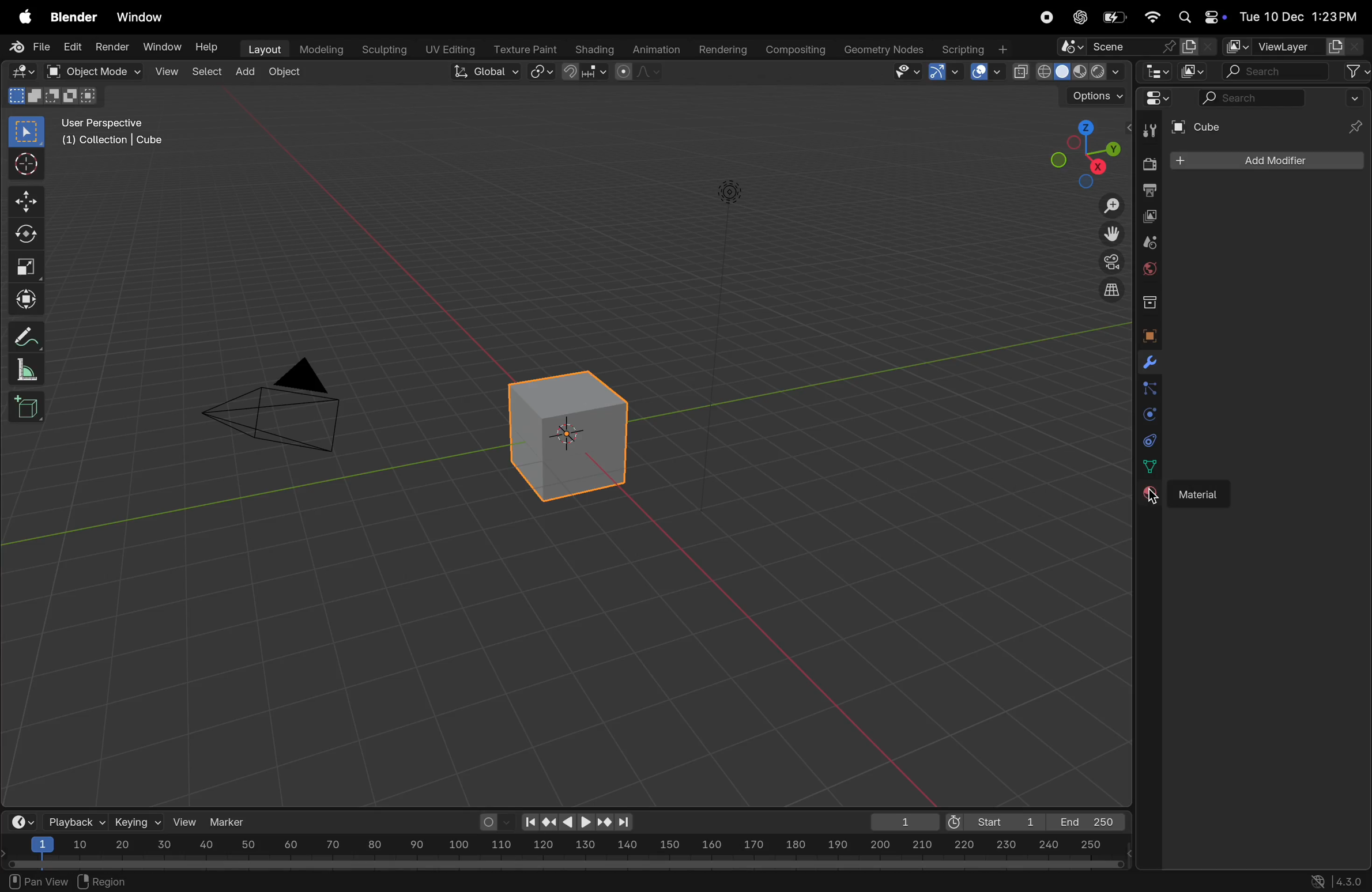  Describe the element at coordinates (1194, 71) in the screenshot. I see `display mode` at that location.